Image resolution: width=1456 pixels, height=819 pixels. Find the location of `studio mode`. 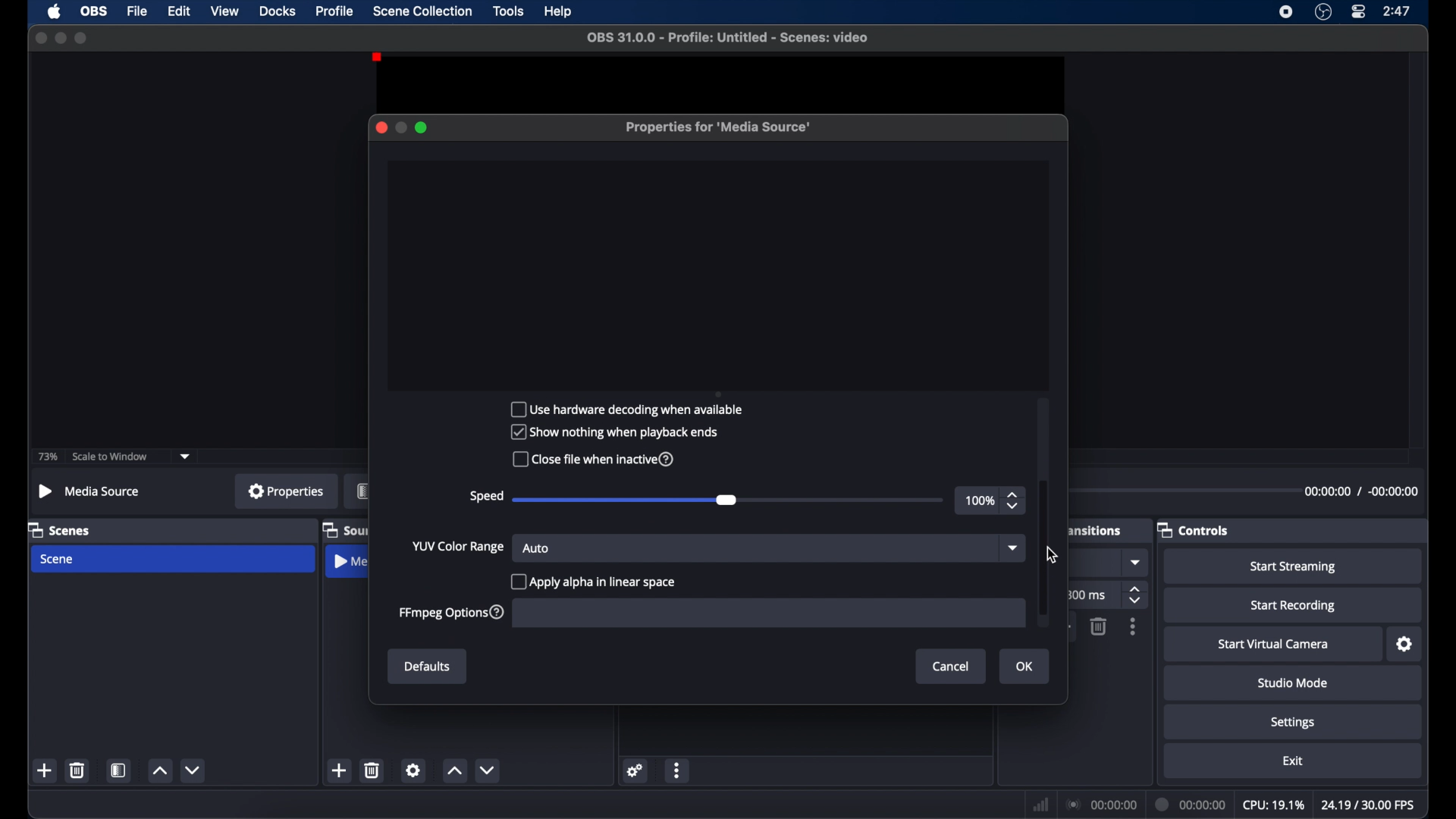

studio mode is located at coordinates (1293, 684).